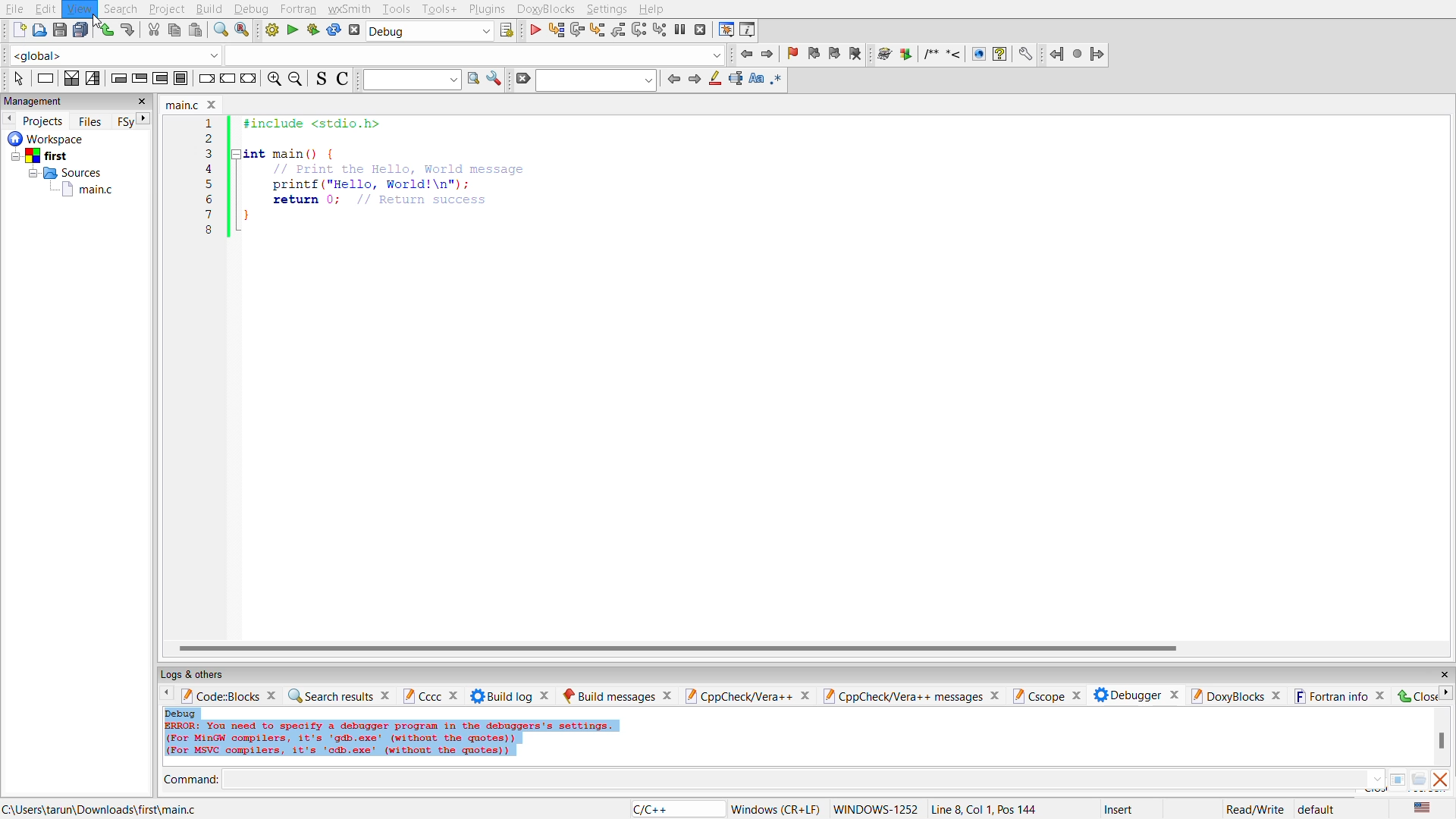 This screenshot has height=819, width=1456. Describe the element at coordinates (172, 31) in the screenshot. I see `copy` at that location.